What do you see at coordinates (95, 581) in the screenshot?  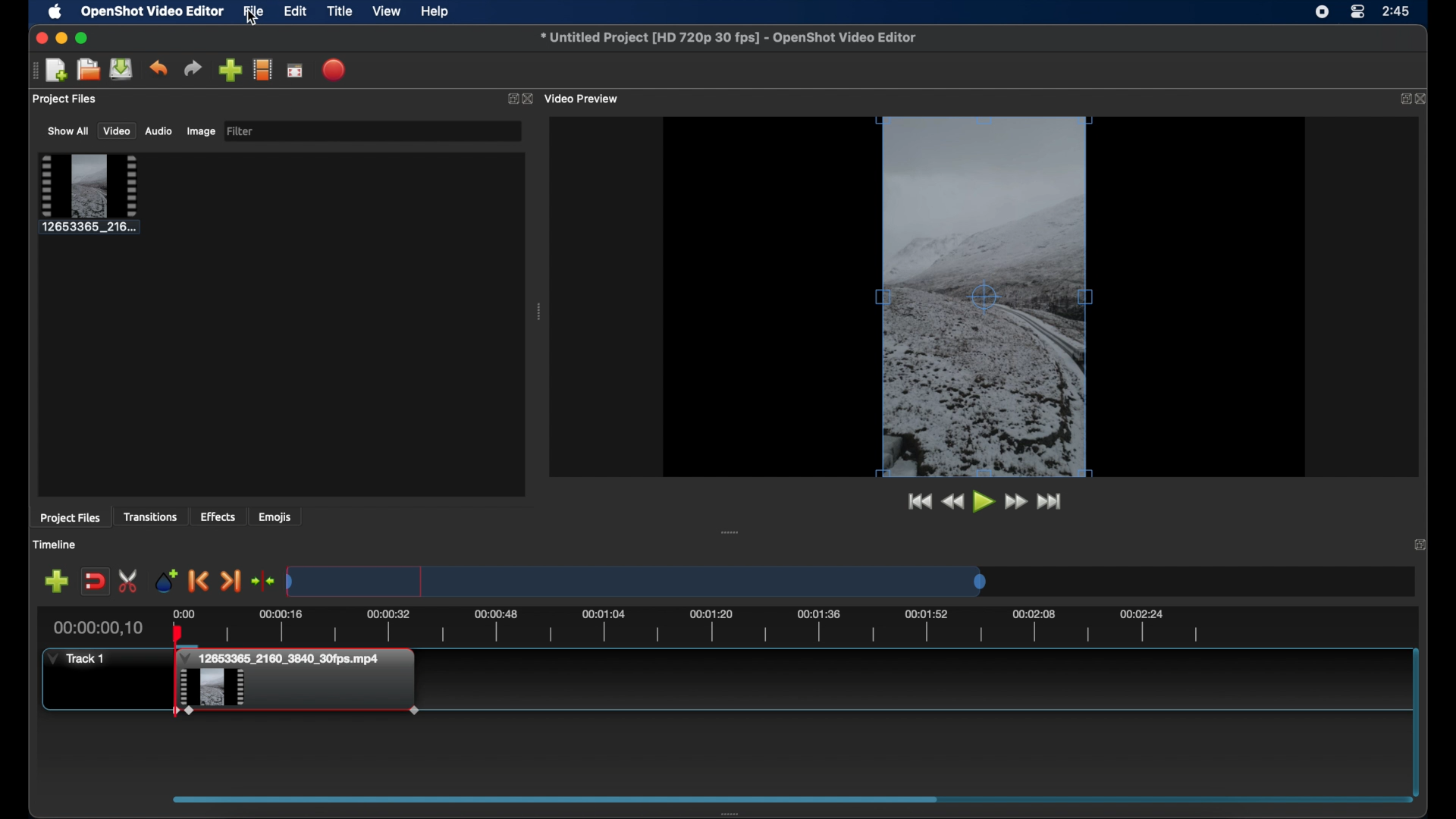 I see `disable snapping` at bounding box center [95, 581].